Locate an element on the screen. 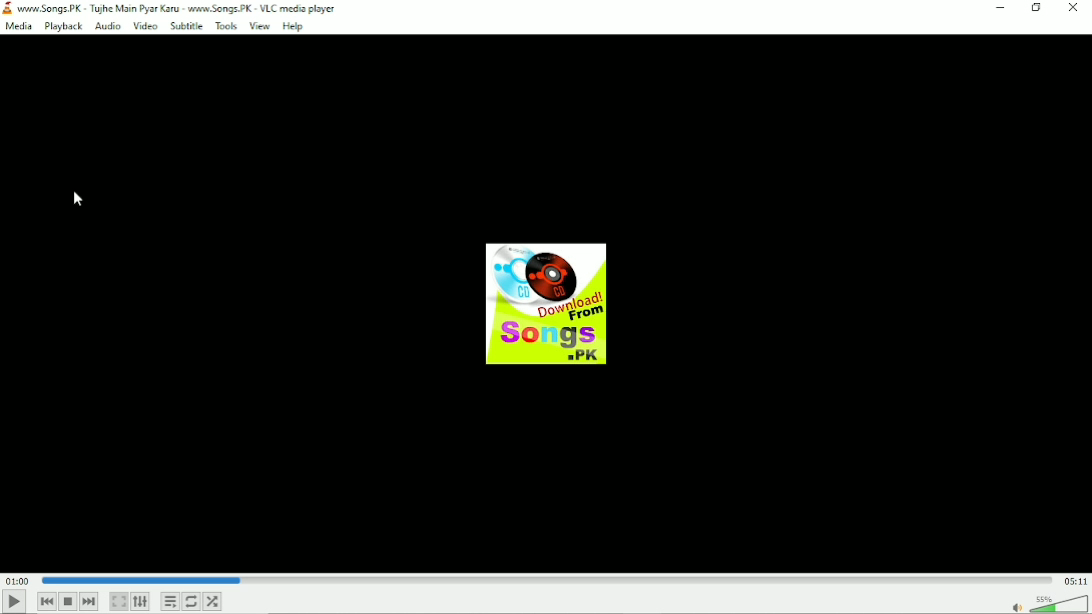 This screenshot has width=1092, height=614. Minimize is located at coordinates (999, 7).